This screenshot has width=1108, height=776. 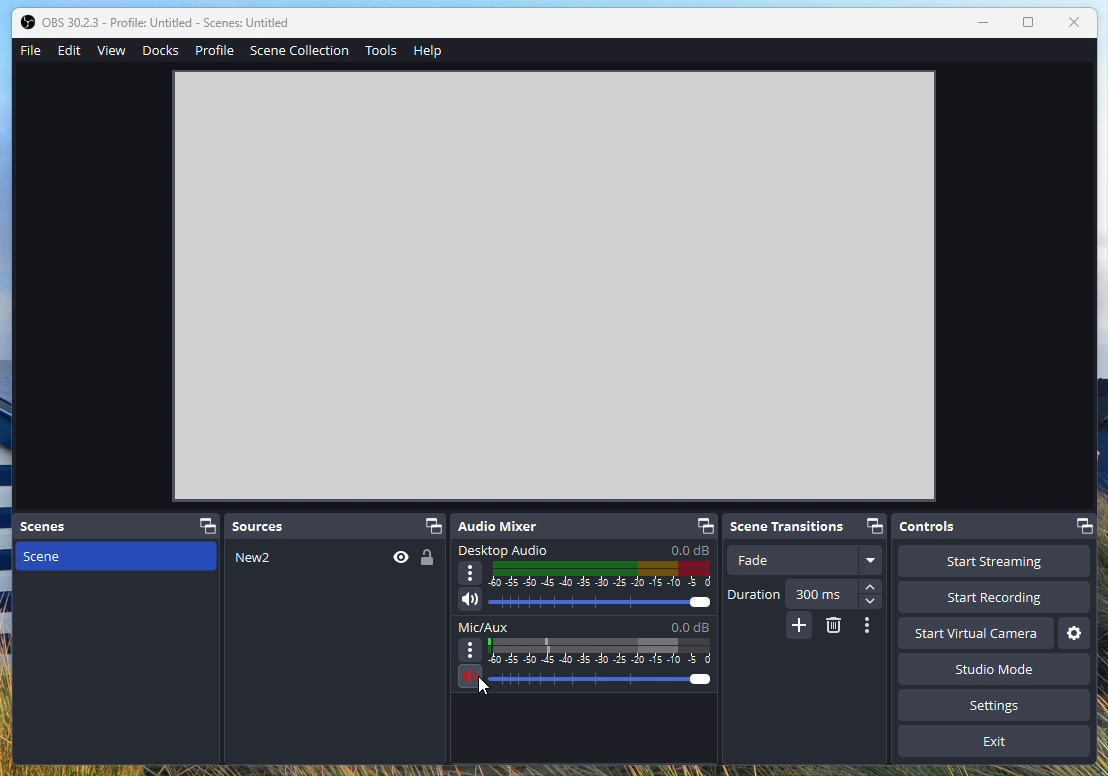 I want to click on Mic settings, so click(x=588, y=660).